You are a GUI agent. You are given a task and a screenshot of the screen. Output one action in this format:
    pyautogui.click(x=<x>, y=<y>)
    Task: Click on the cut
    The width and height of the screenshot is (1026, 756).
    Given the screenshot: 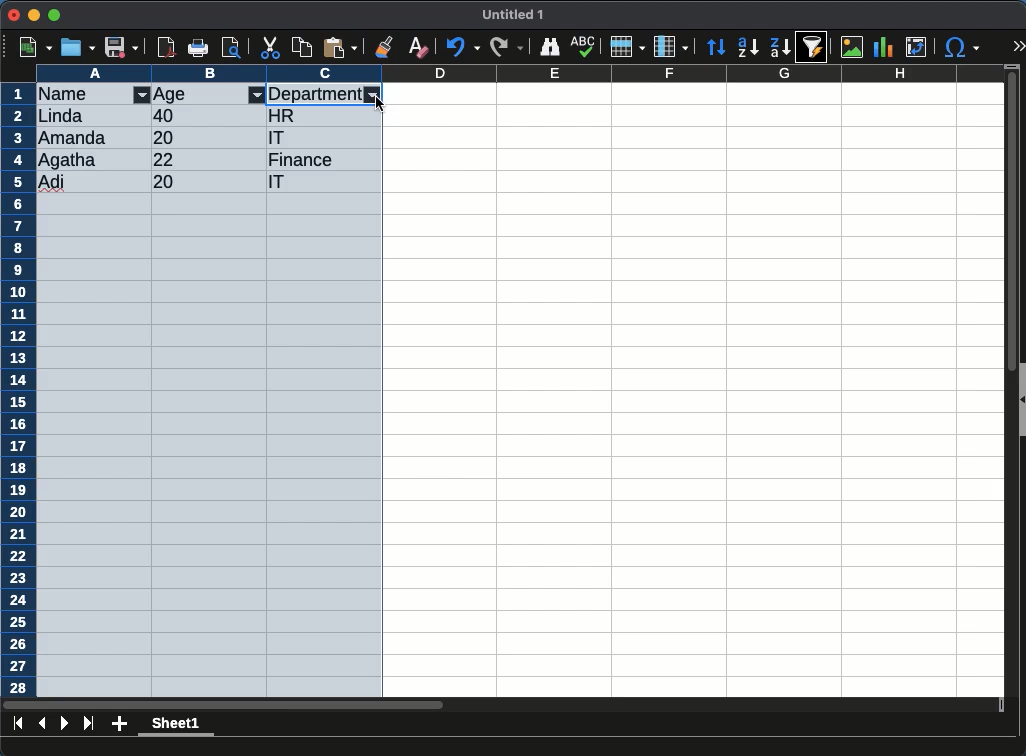 What is the action you would take?
    pyautogui.click(x=271, y=47)
    